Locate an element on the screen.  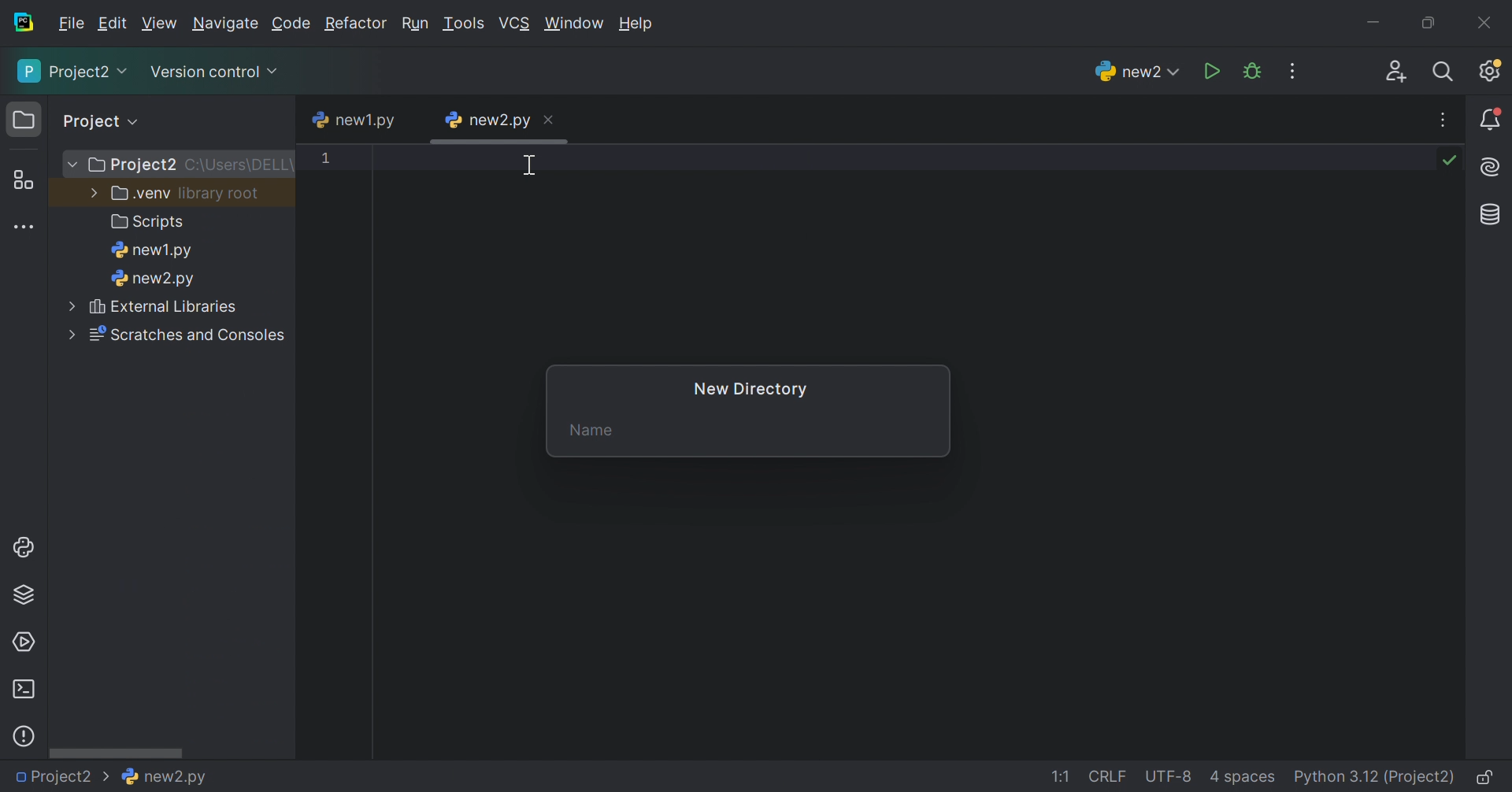
Version control is located at coordinates (216, 74).